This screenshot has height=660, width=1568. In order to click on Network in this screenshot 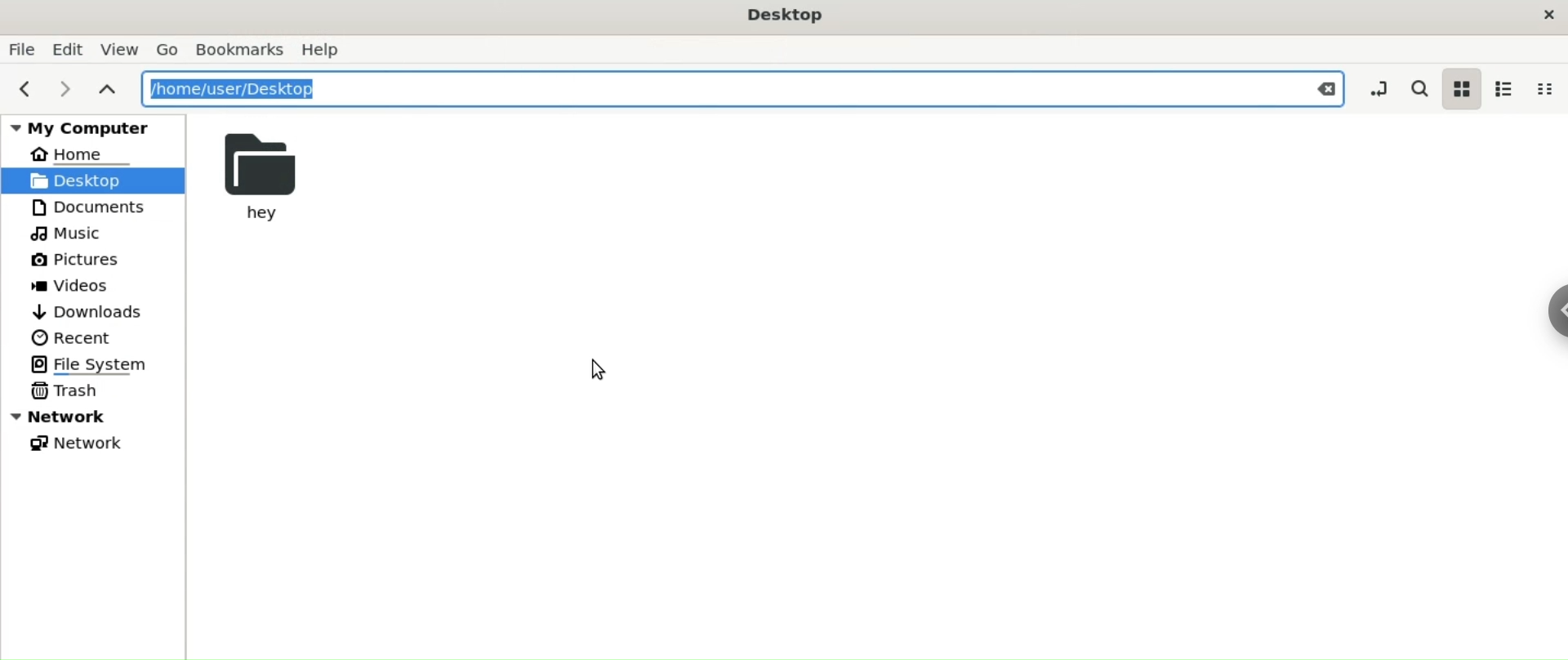, I will do `click(80, 448)`.